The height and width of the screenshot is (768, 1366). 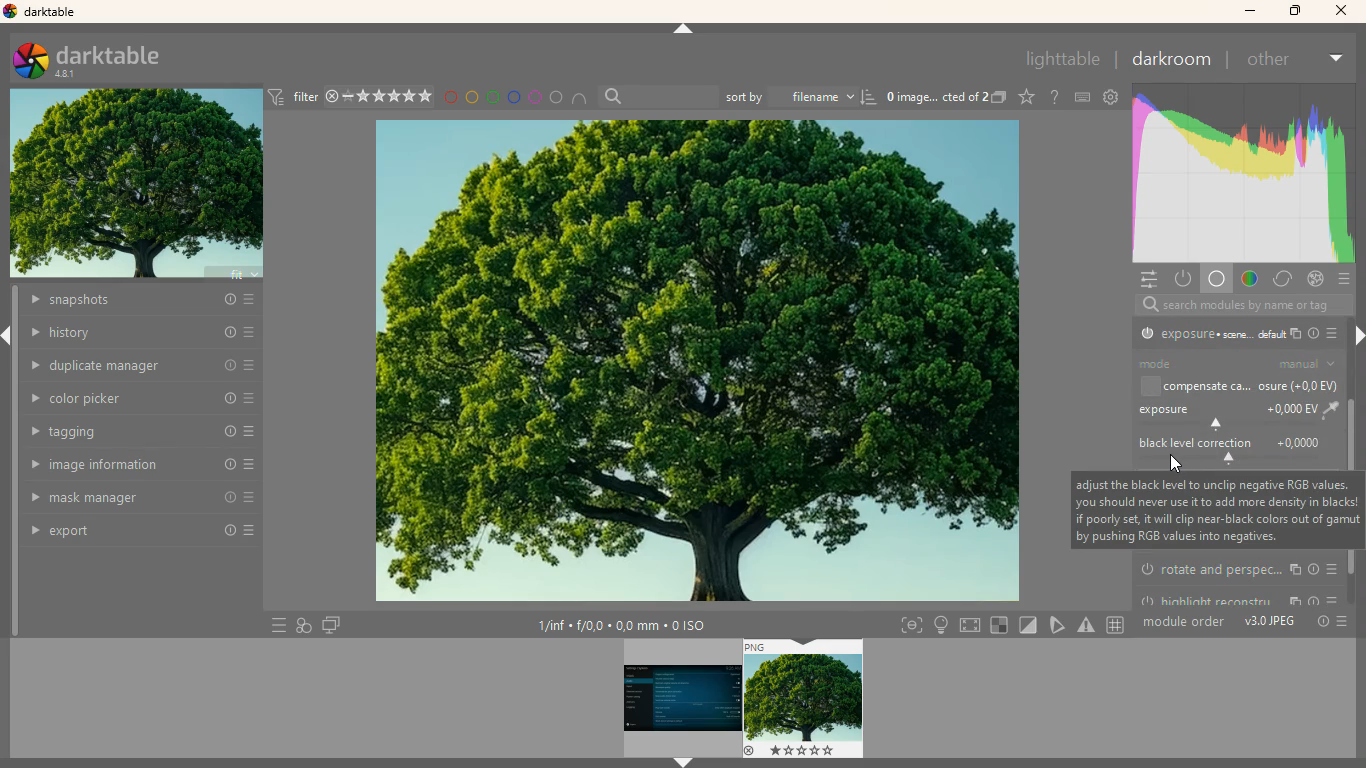 I want to click on power, so click(x=1182, y=279).